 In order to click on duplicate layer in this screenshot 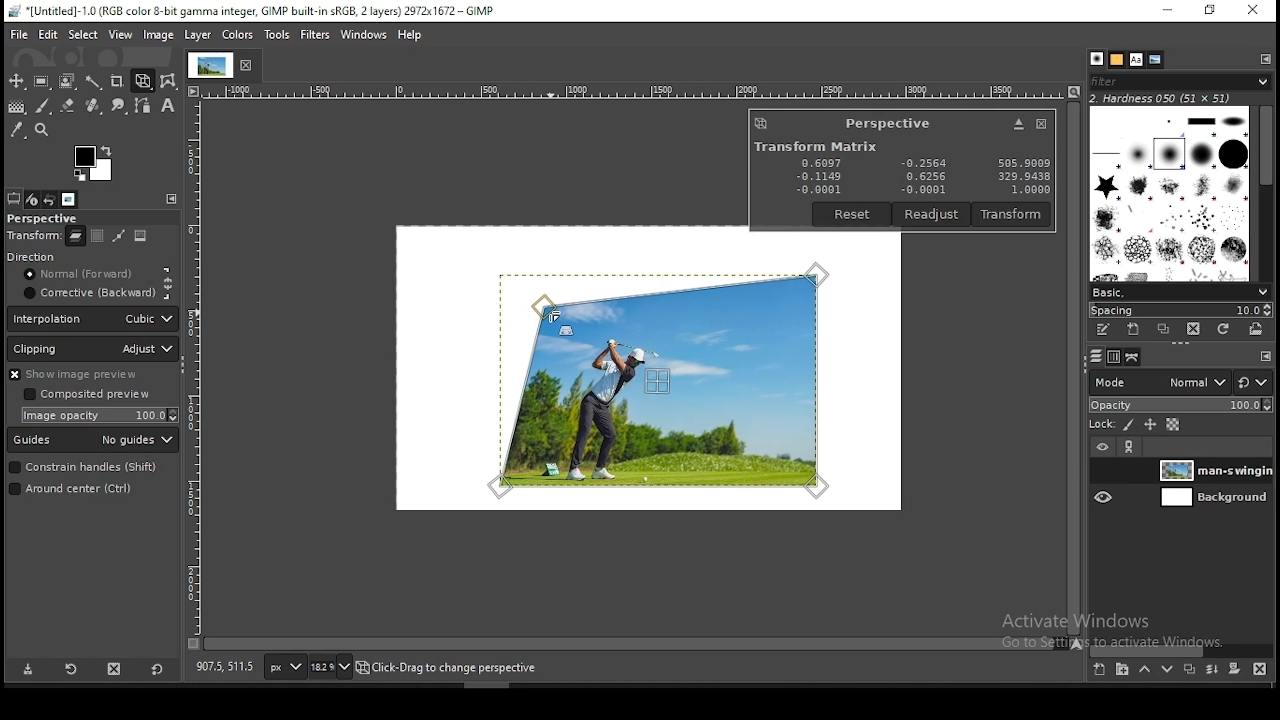, I will do `click(1190, 668)`.